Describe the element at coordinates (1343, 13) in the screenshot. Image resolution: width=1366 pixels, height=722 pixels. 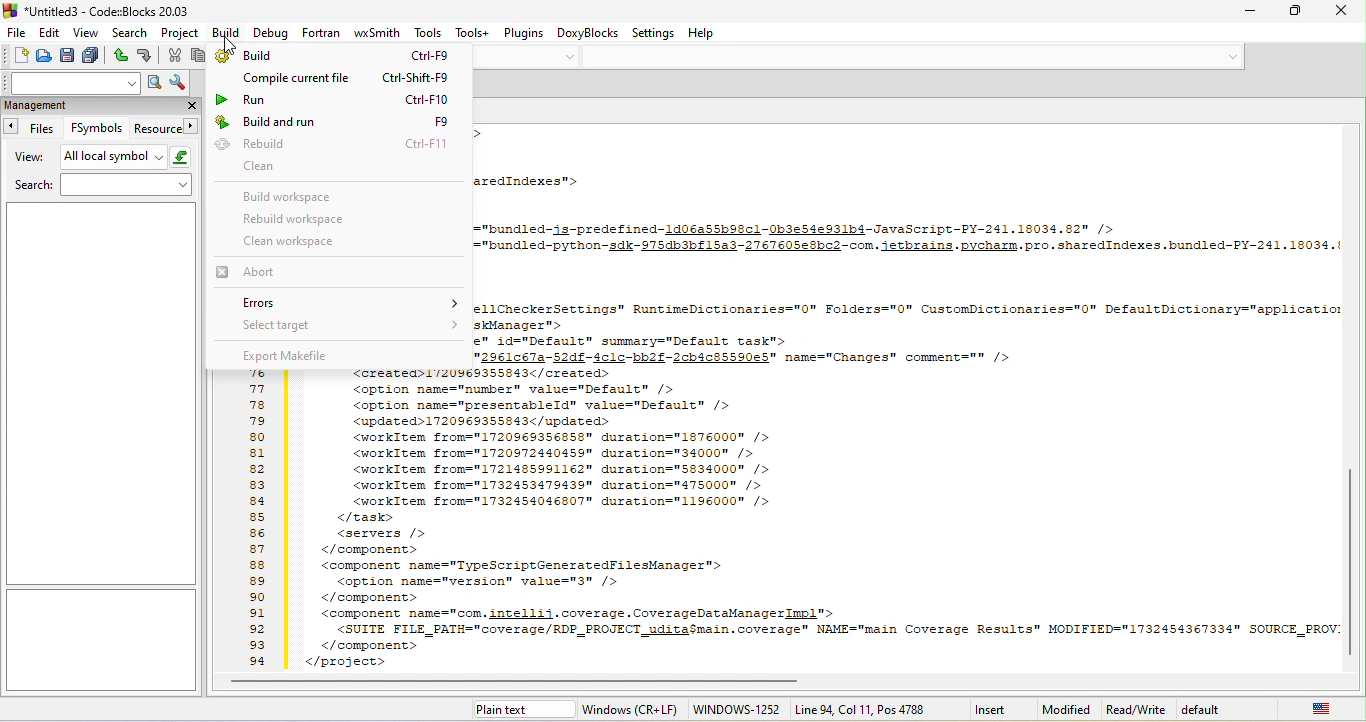
I see `close` at that location.